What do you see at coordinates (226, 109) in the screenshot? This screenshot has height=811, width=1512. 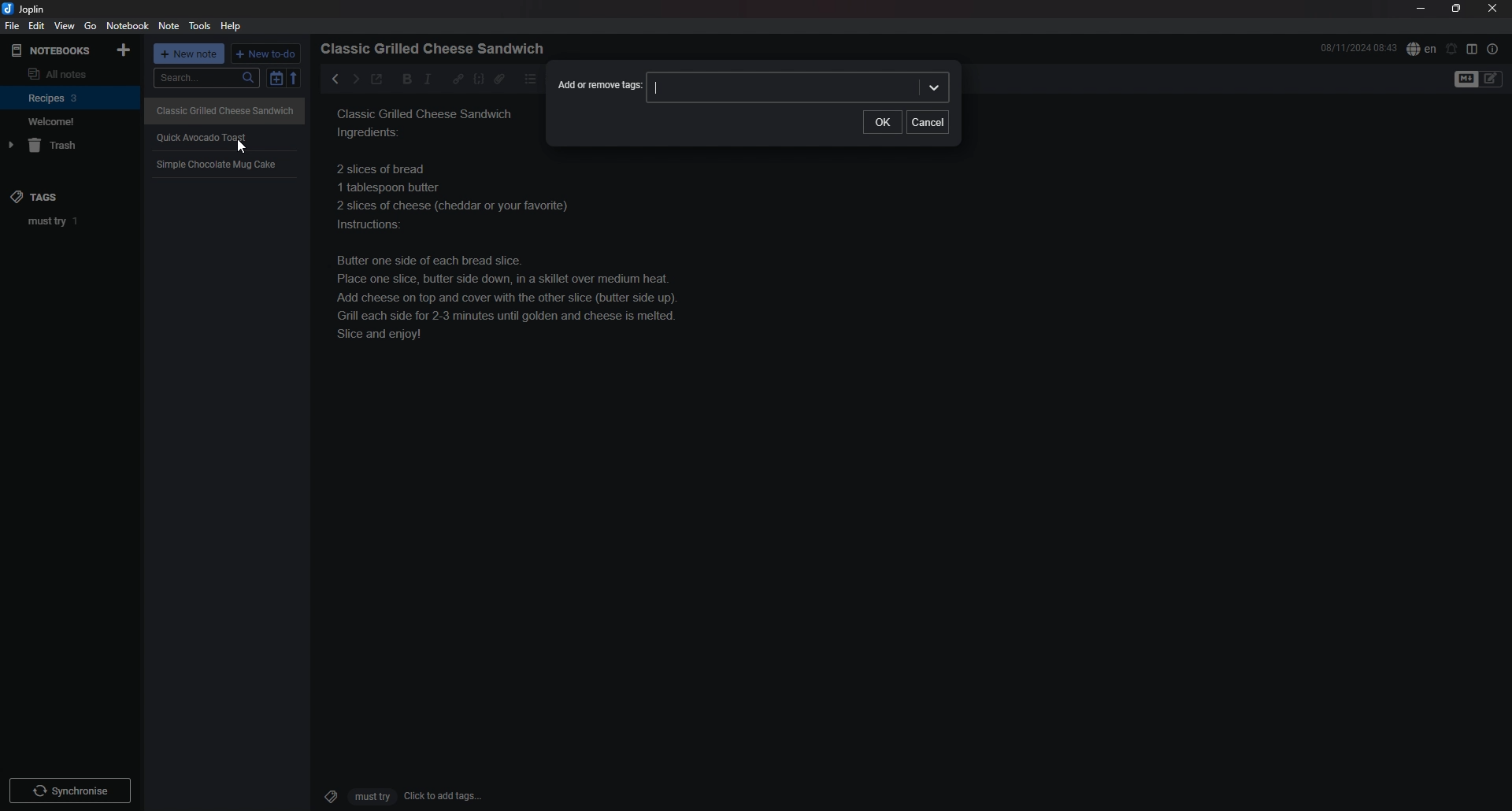 I see `Classic Grilled Cheese Sandwich` at bounding box center [226, 109].